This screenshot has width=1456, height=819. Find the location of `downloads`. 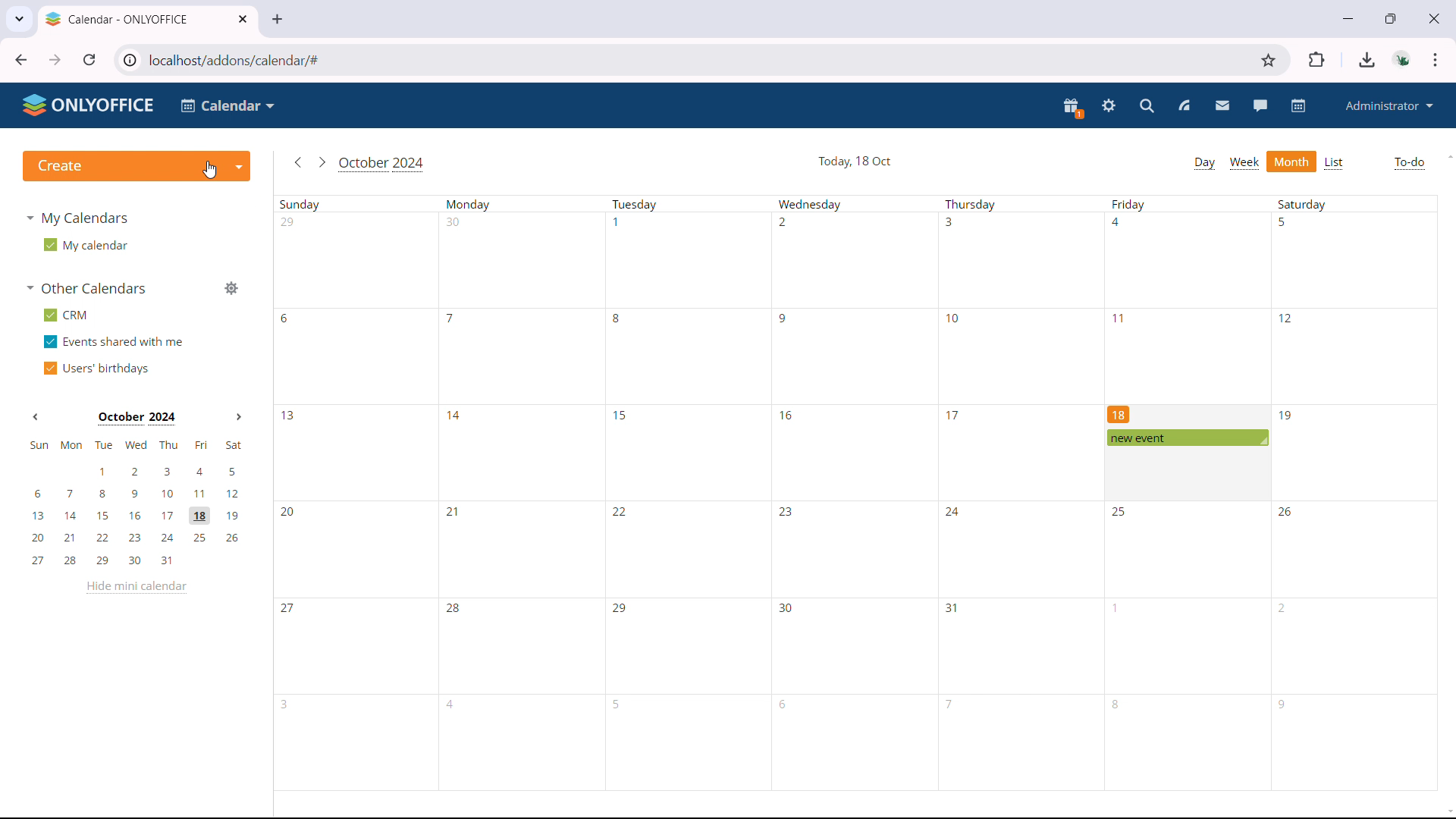

downloads is located at coordinates (1367, 60).